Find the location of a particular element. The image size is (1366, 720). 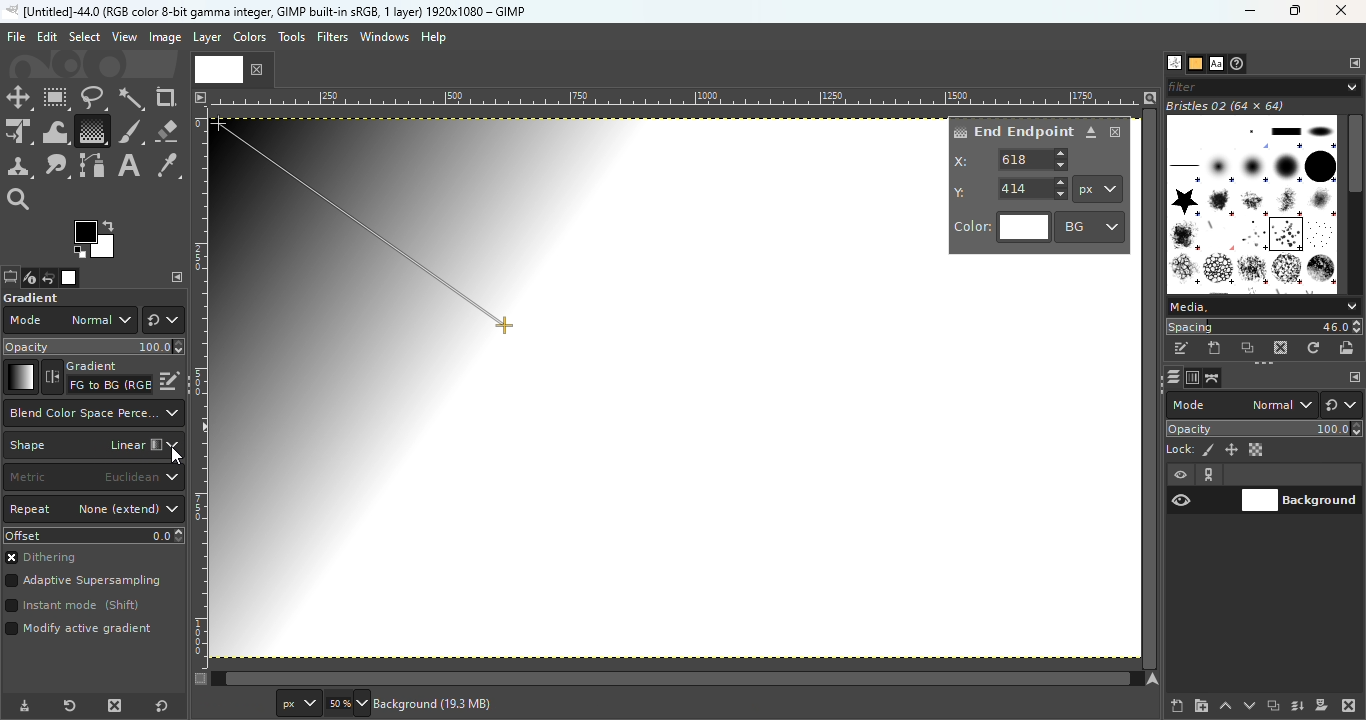

Reset tool preset is located at coordinates (67, 707).